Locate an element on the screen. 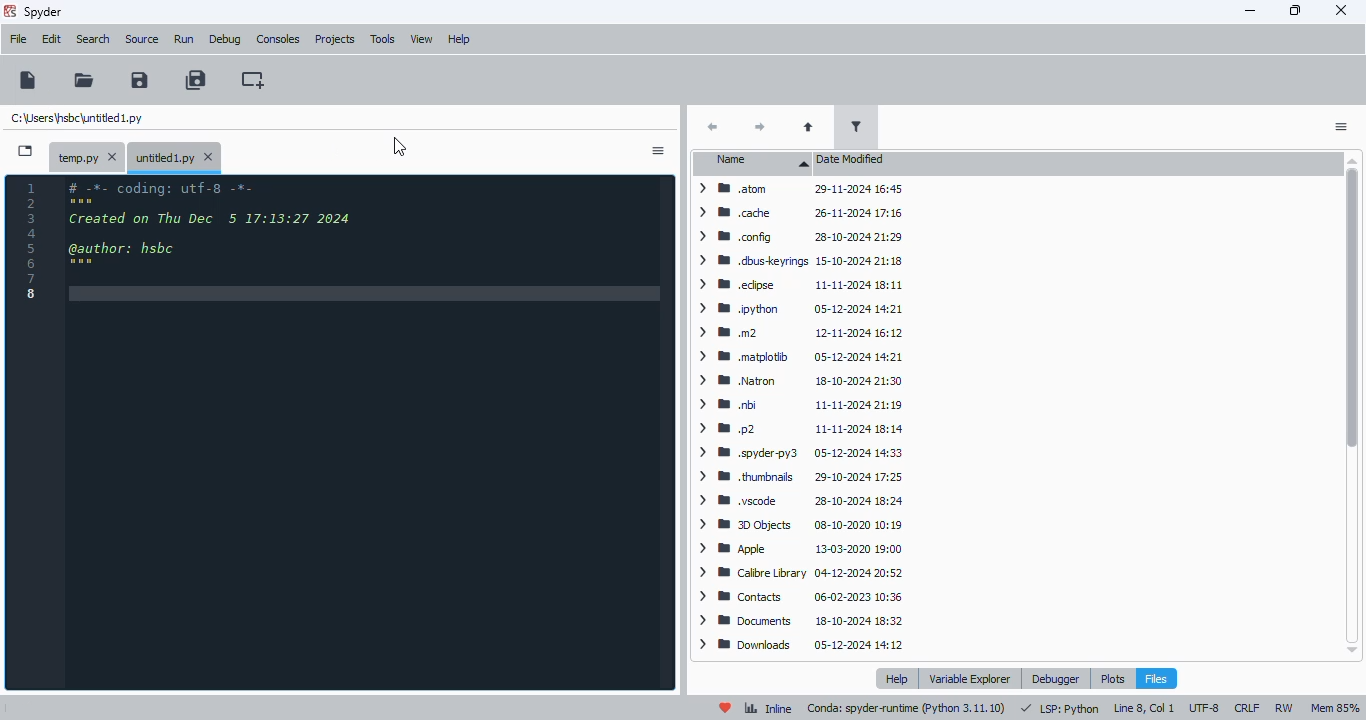  conda: spyder-runtime (python 3. 11. 10) is located at coordinates (907, 708).